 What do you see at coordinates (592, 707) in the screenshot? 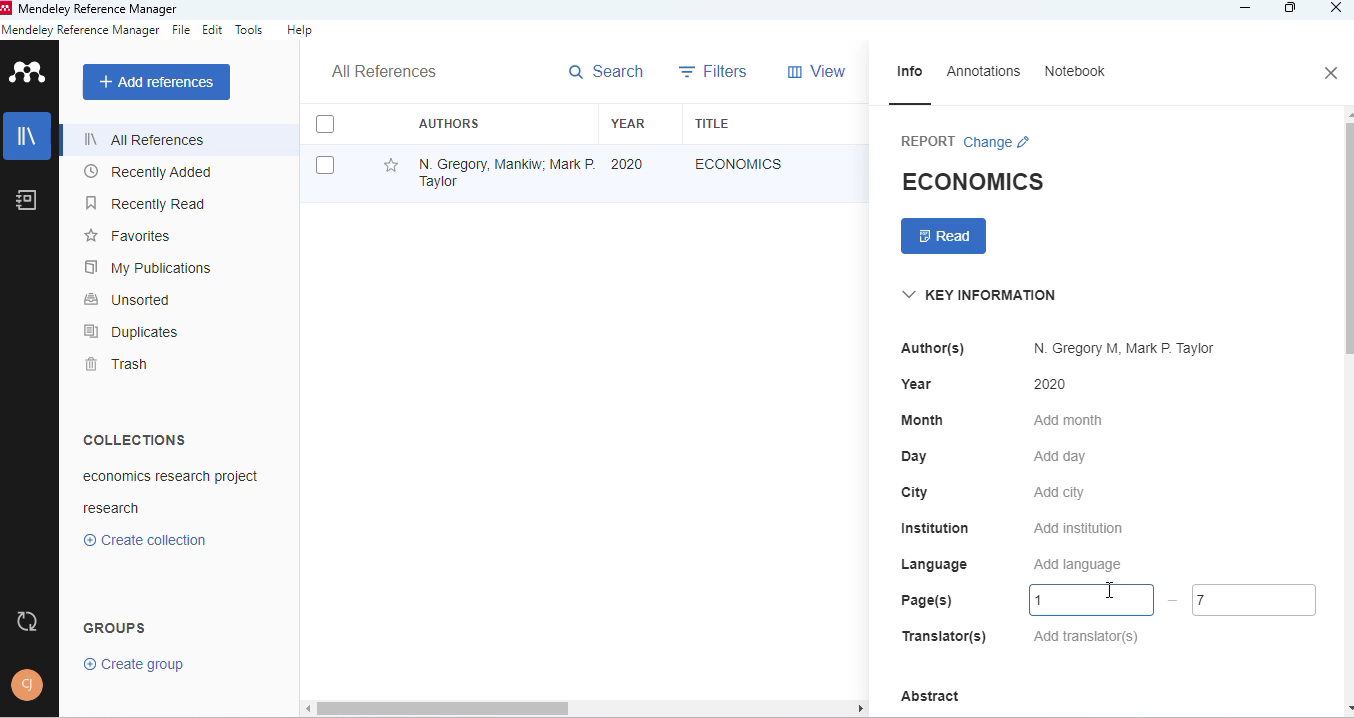
I see `horizontal scroll bar` at bounding box center [592, 707].